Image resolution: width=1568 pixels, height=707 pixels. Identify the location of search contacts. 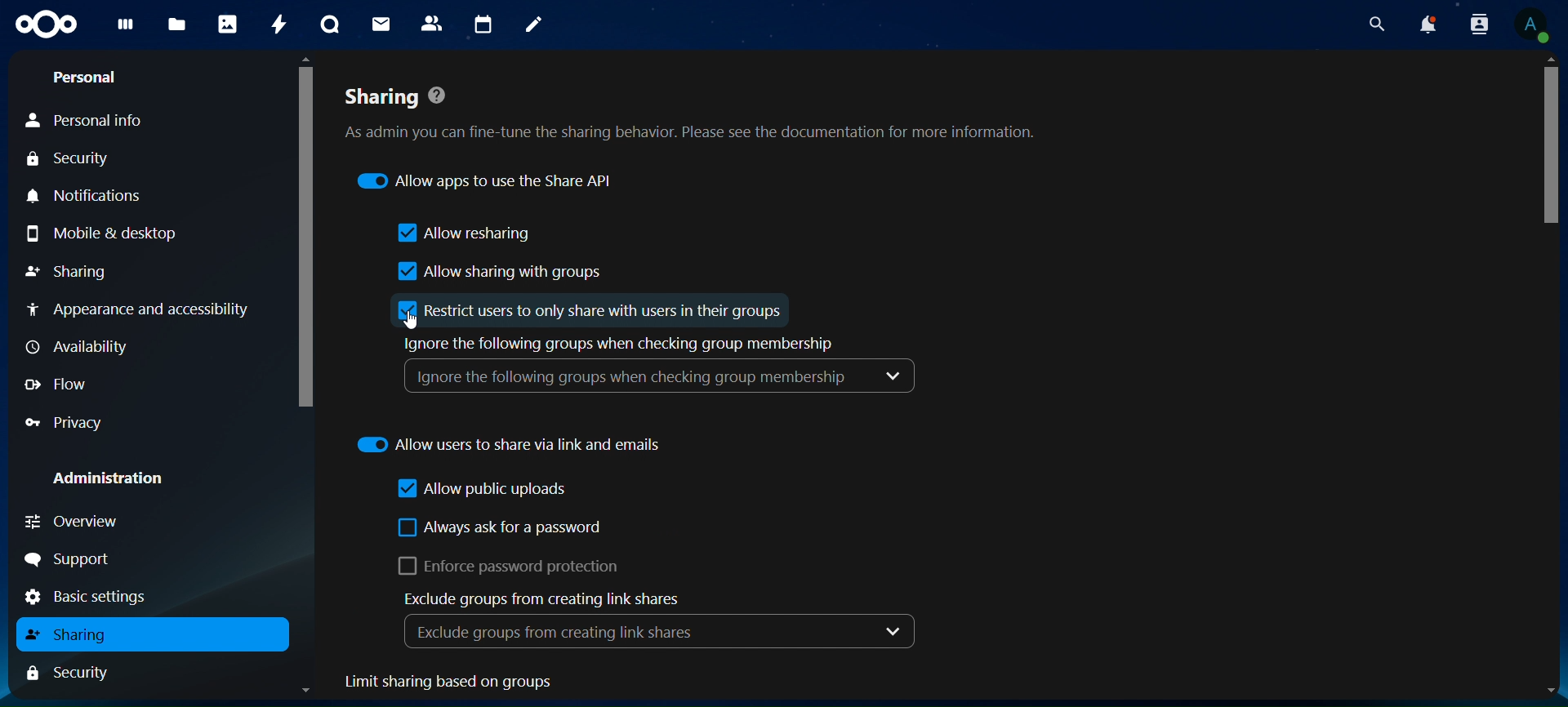
(1480, 23).